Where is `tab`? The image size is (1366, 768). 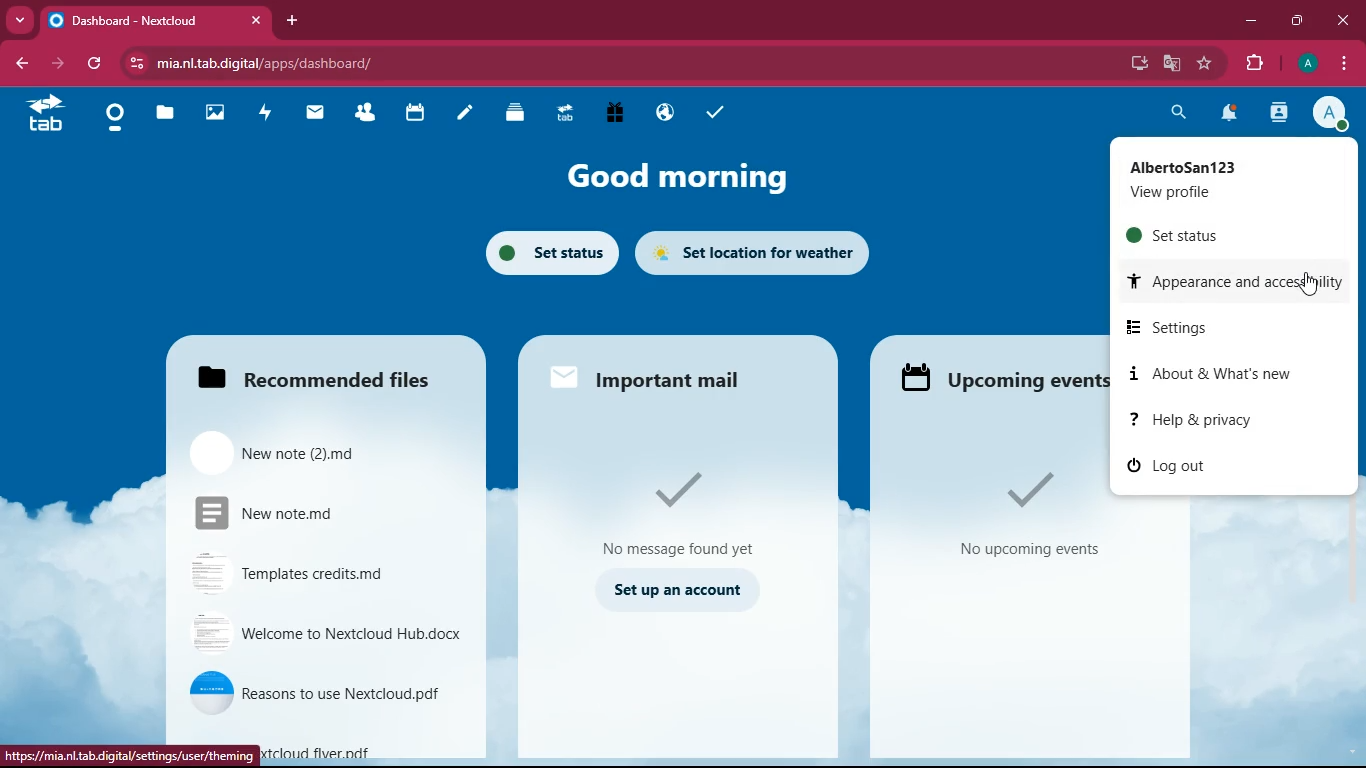 tab is located at coordinates (157, 20).